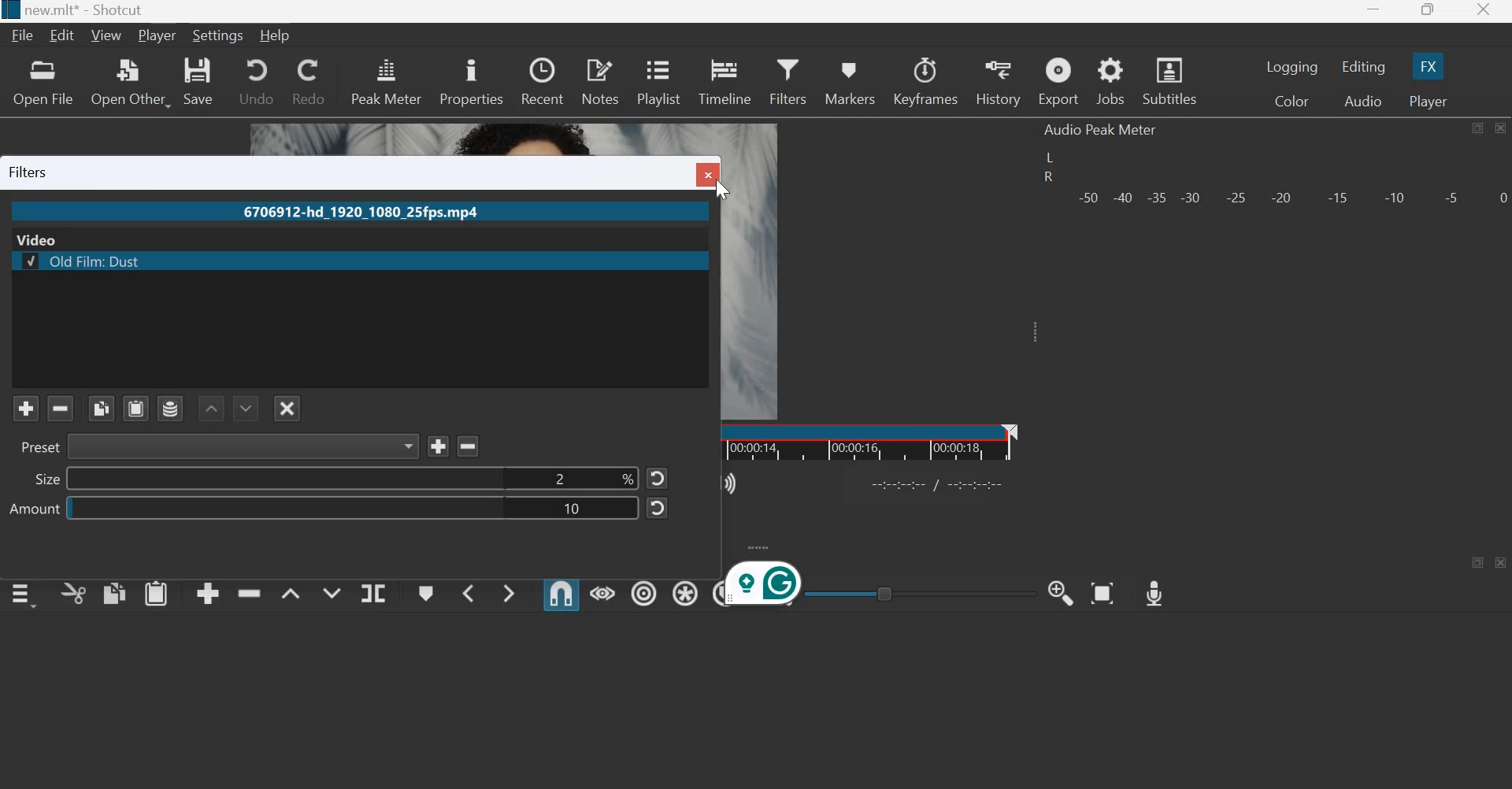  Describe the element at coordinates (74, 595) in the screenshot. I see `cut` at that location.